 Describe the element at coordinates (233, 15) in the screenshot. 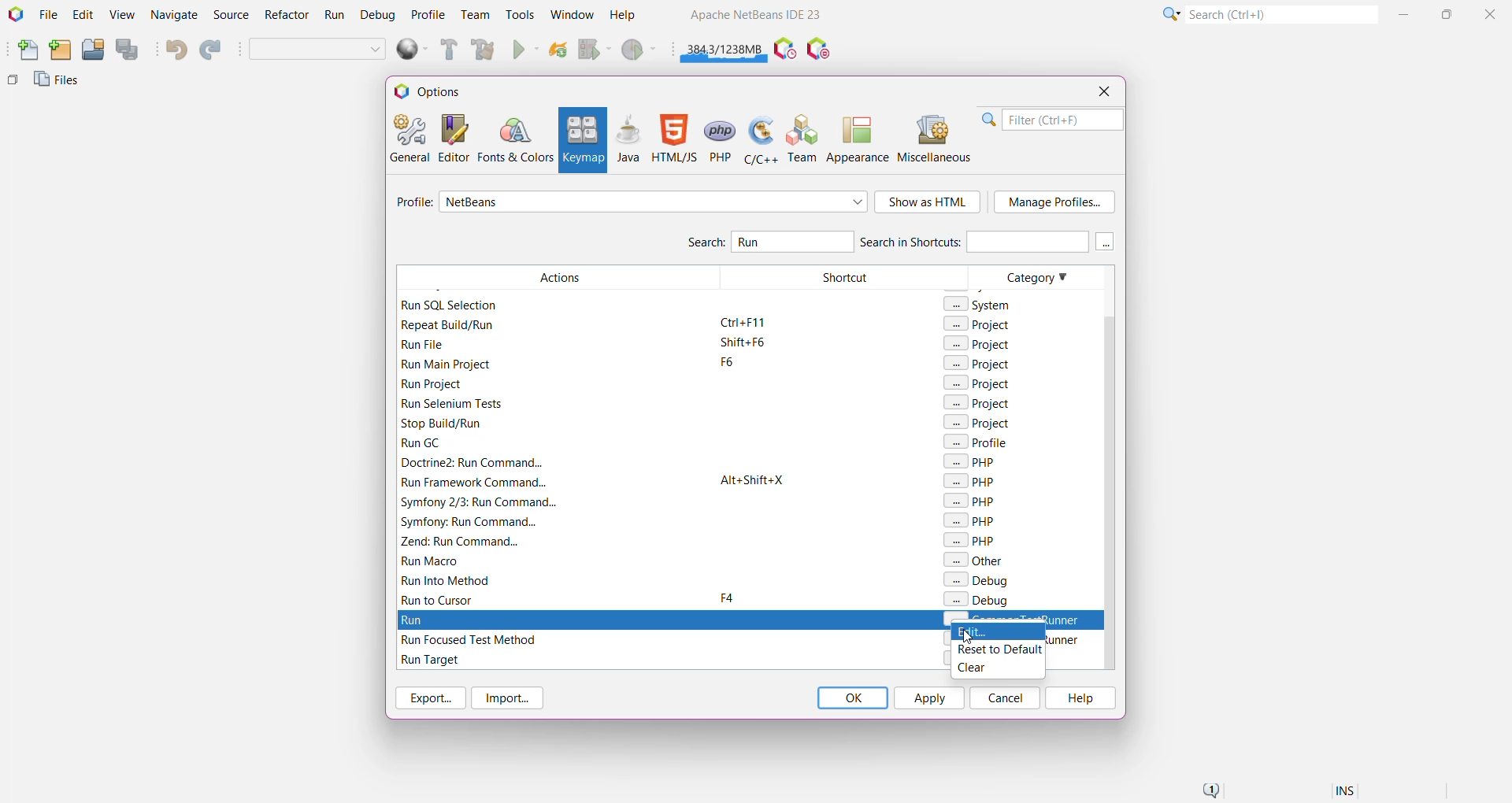

I see `Source` at that location.